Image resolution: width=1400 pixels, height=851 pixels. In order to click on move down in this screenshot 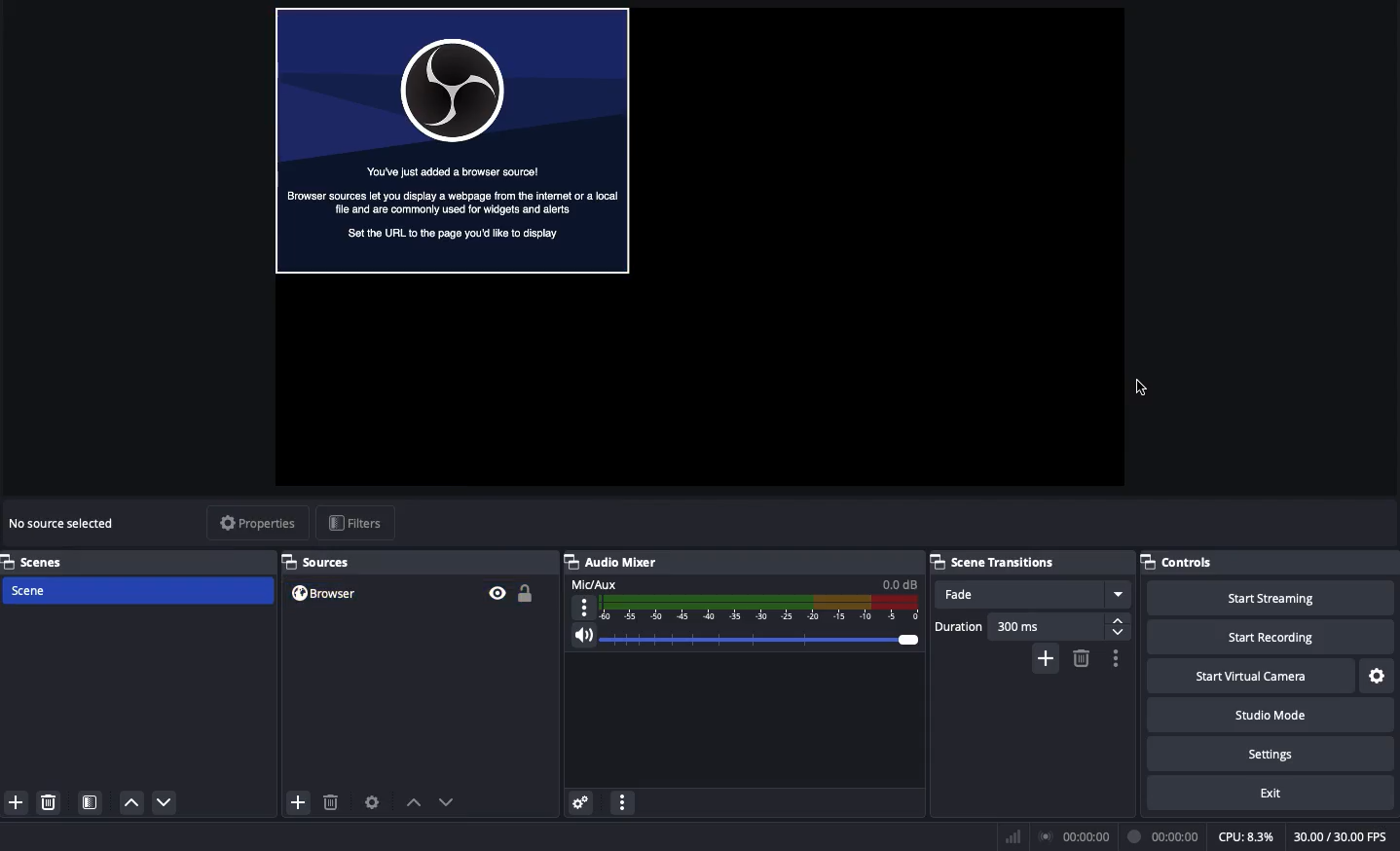, I will do `click(170, 799)`.